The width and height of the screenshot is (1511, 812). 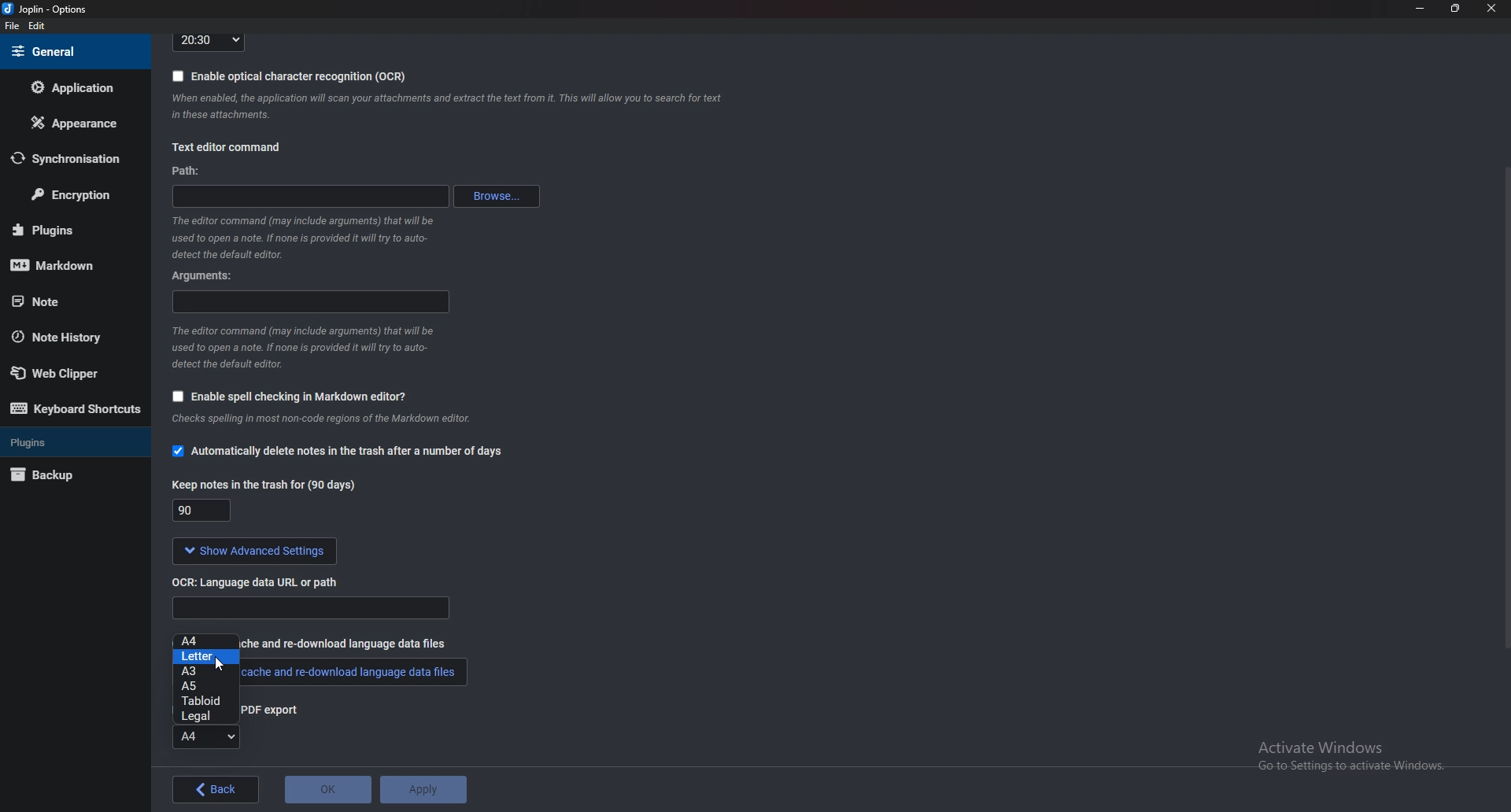 What do you see at coordinates (207, 685) in the screenshot?
I see `a5` at bounding box center [207, 685].